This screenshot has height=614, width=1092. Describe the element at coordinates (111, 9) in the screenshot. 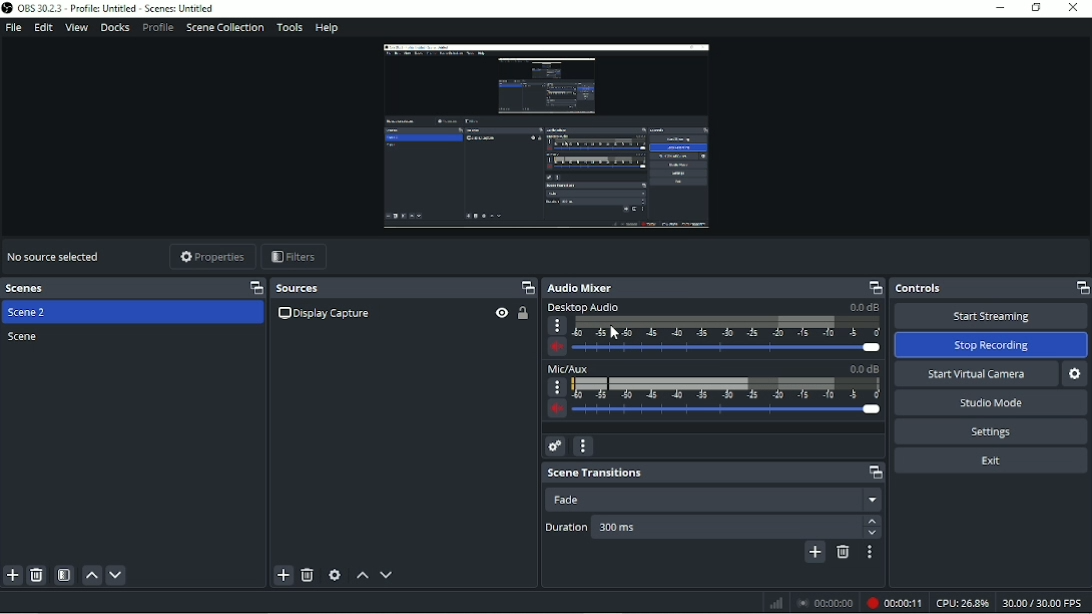

I see `Title` at that location.